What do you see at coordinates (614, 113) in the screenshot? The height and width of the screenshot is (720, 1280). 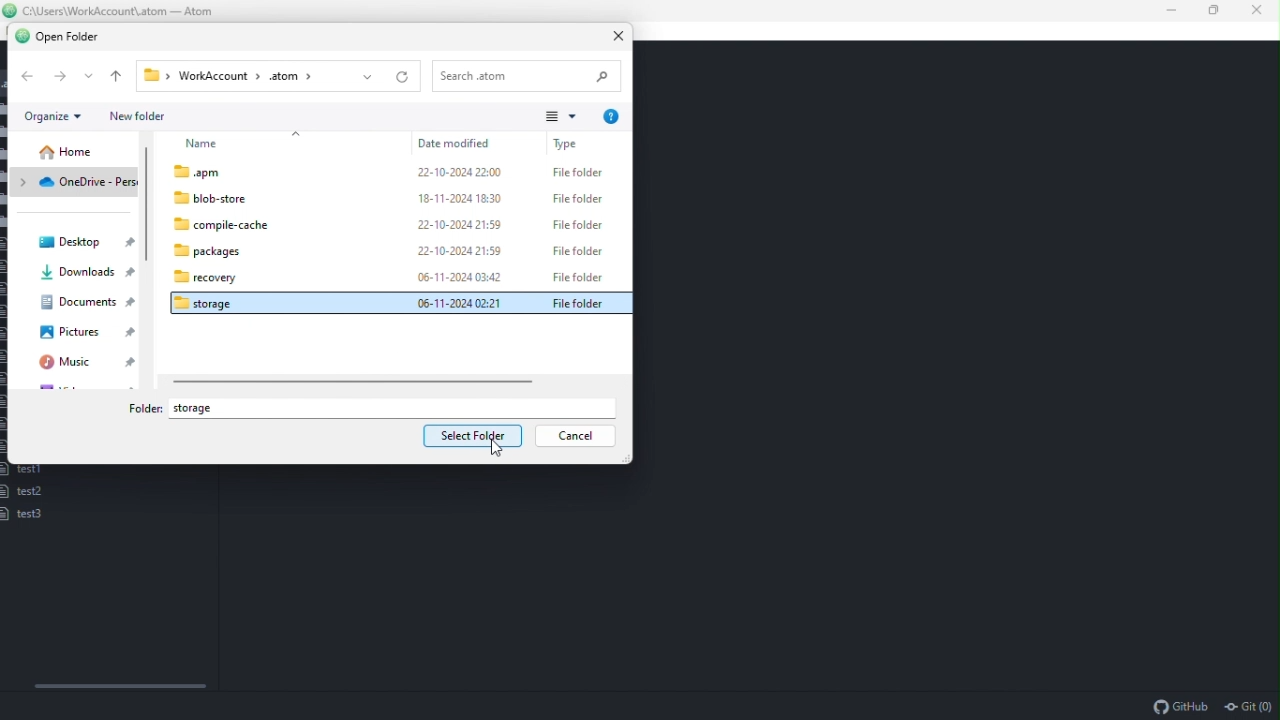 I see `Help` at bounding box center [614, 113].